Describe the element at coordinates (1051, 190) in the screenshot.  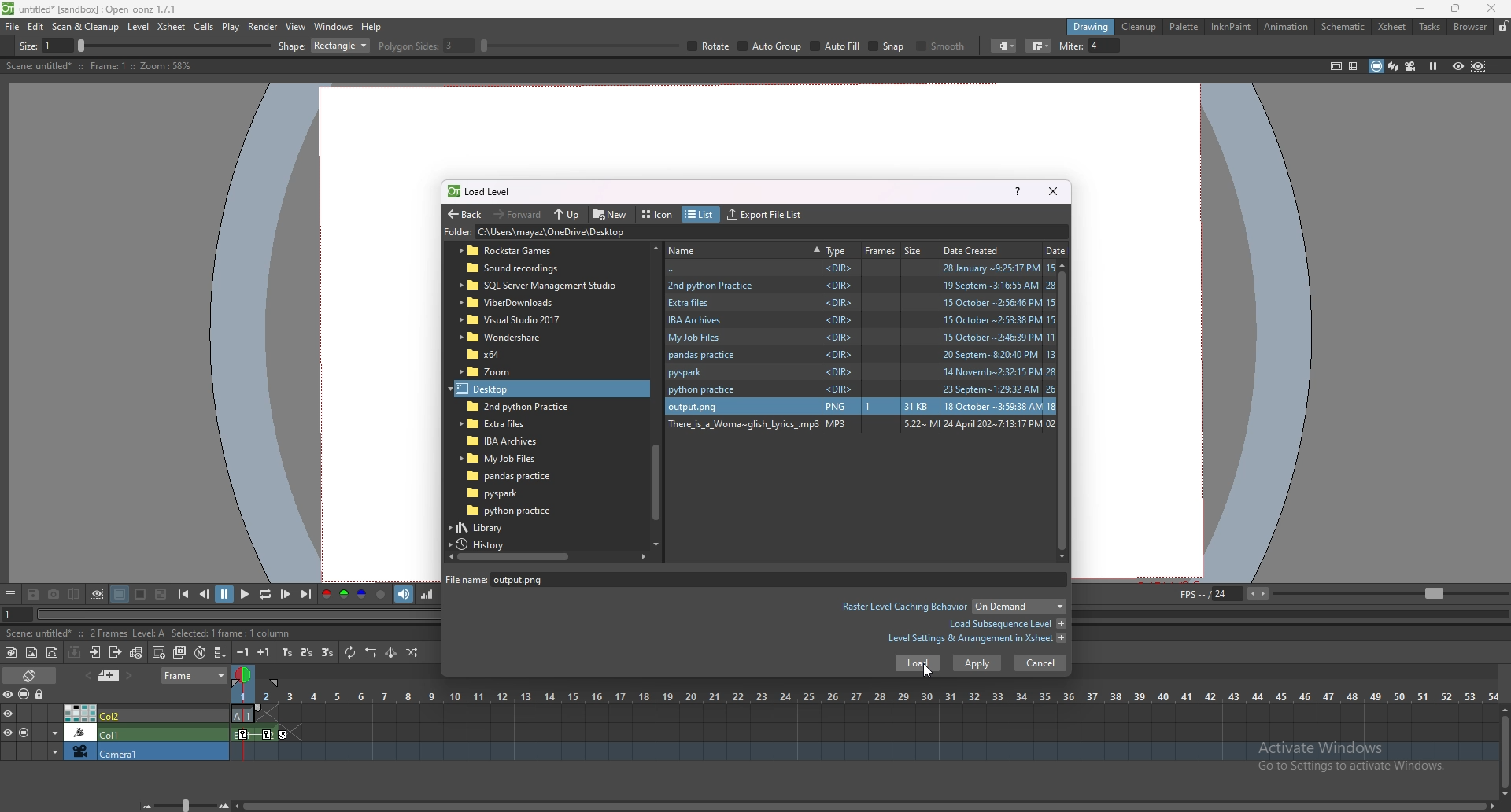
I see `close` at that location.